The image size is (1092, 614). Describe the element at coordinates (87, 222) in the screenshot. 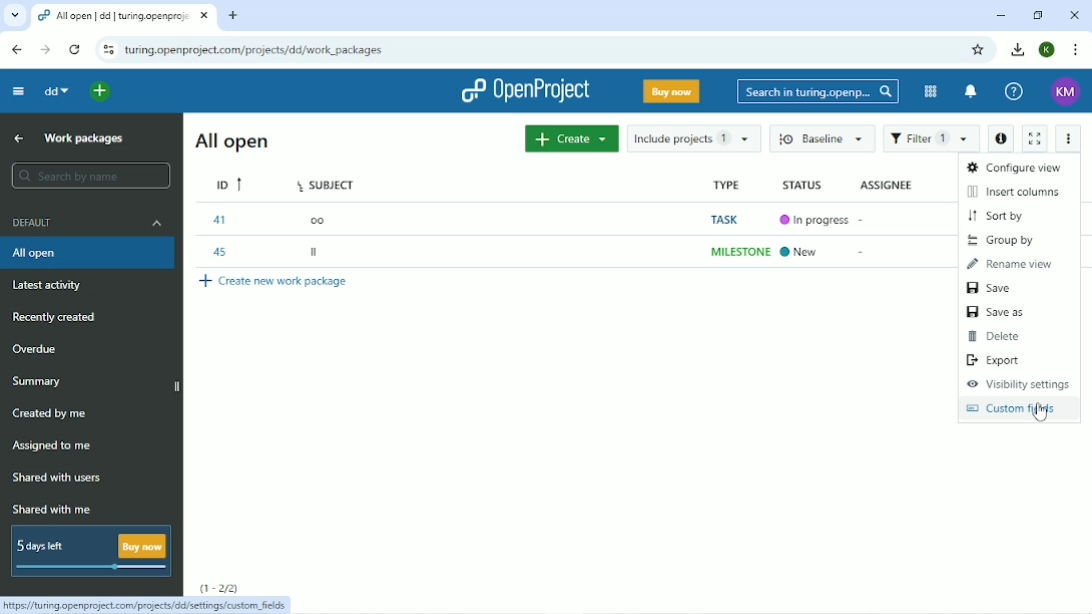

I see `Default` at that location.